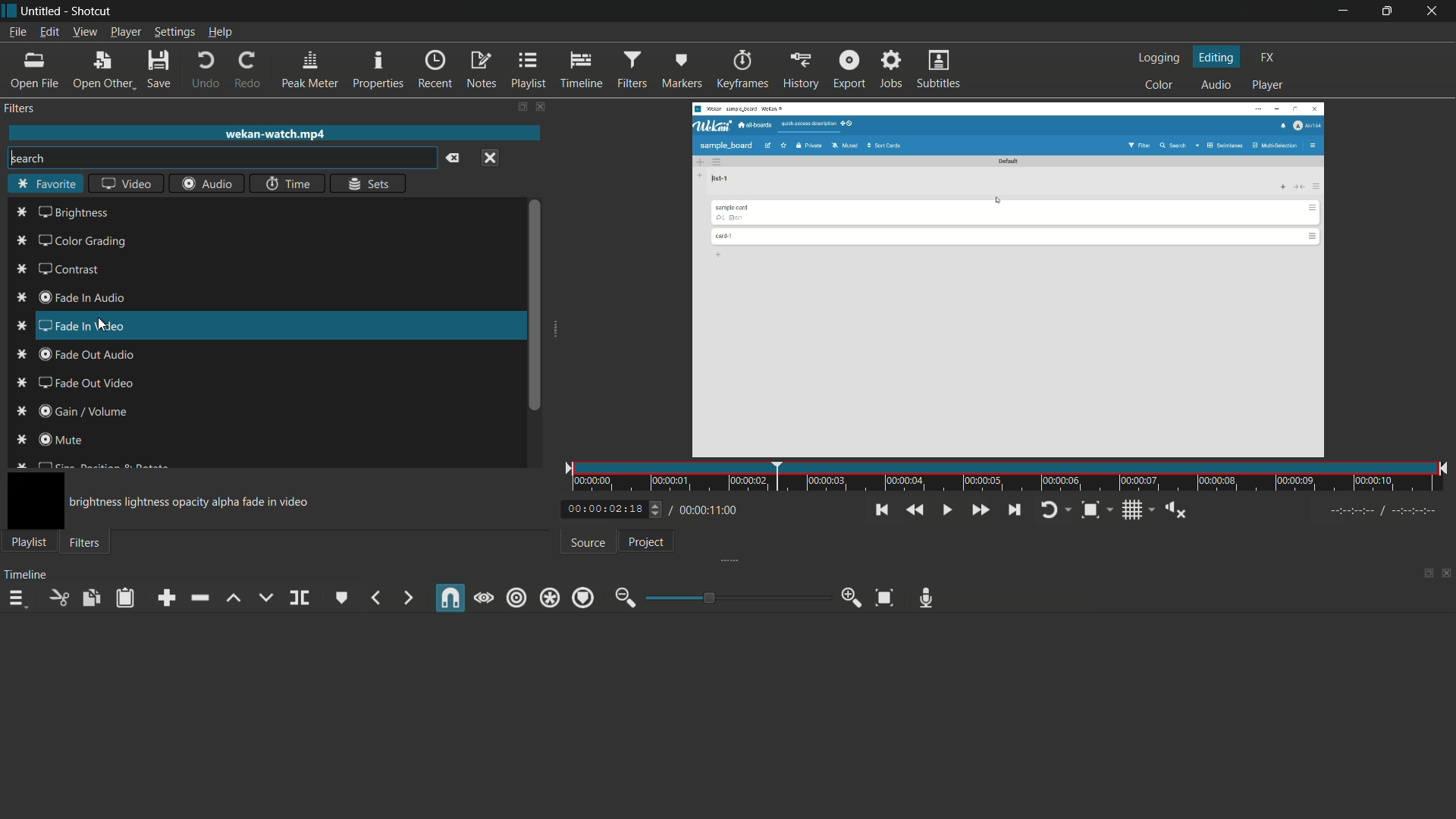  I want to click on next marker, so click(404, 598).